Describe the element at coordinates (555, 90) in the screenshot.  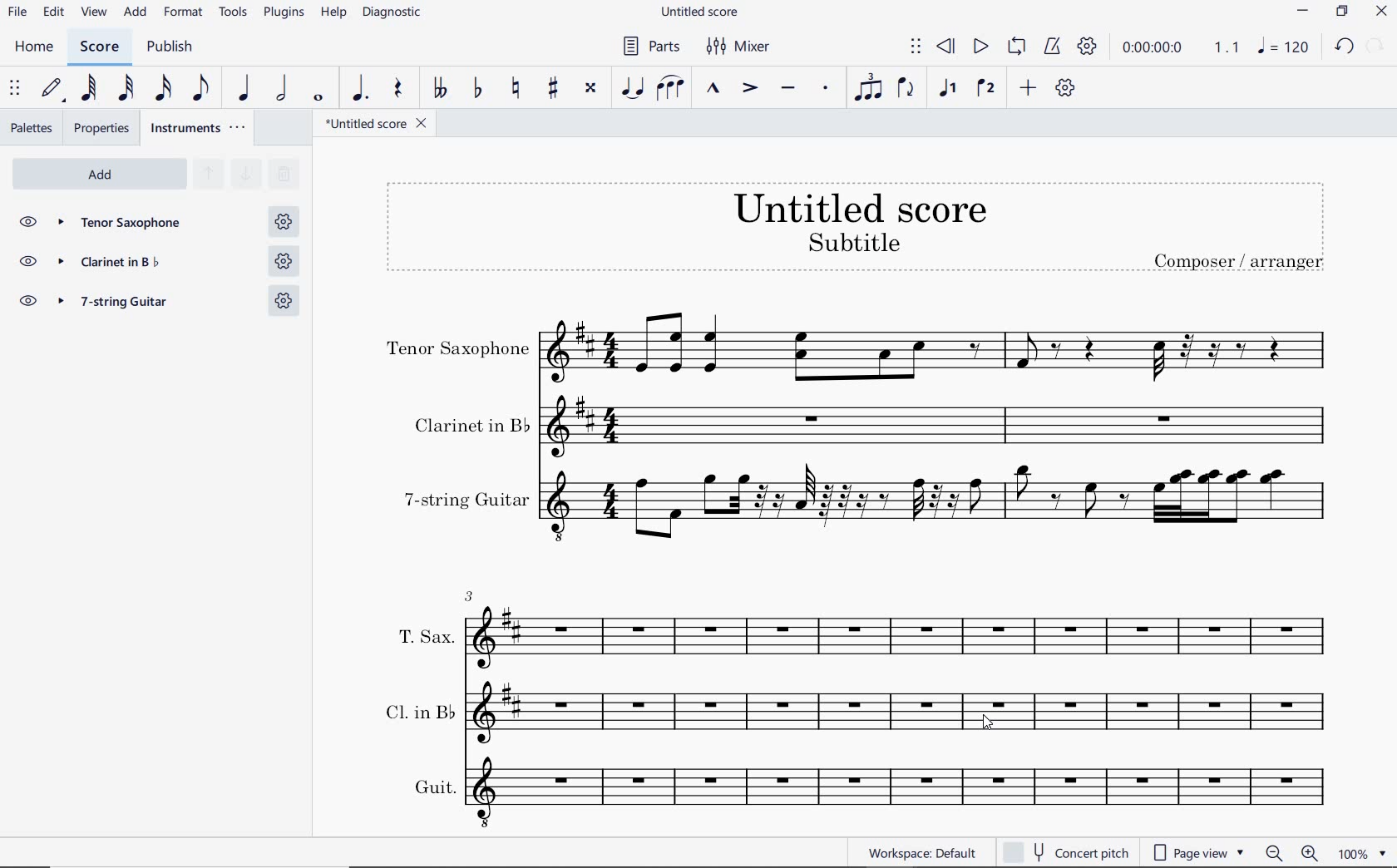
I see `TOGGLE SHARP` at that location.